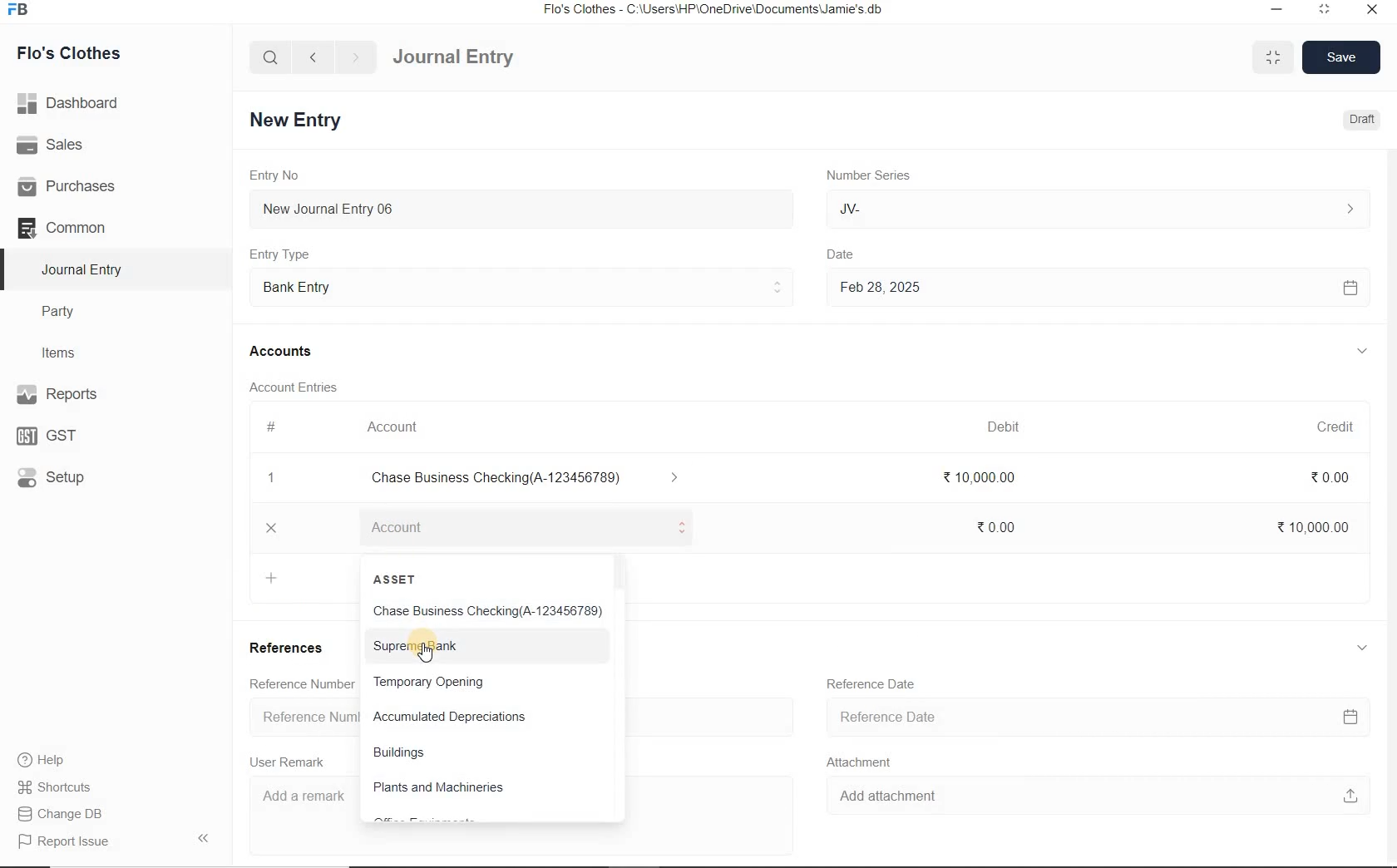 This screenshot has width=1397, height=868. I want to click on Common, so click(81, 227).